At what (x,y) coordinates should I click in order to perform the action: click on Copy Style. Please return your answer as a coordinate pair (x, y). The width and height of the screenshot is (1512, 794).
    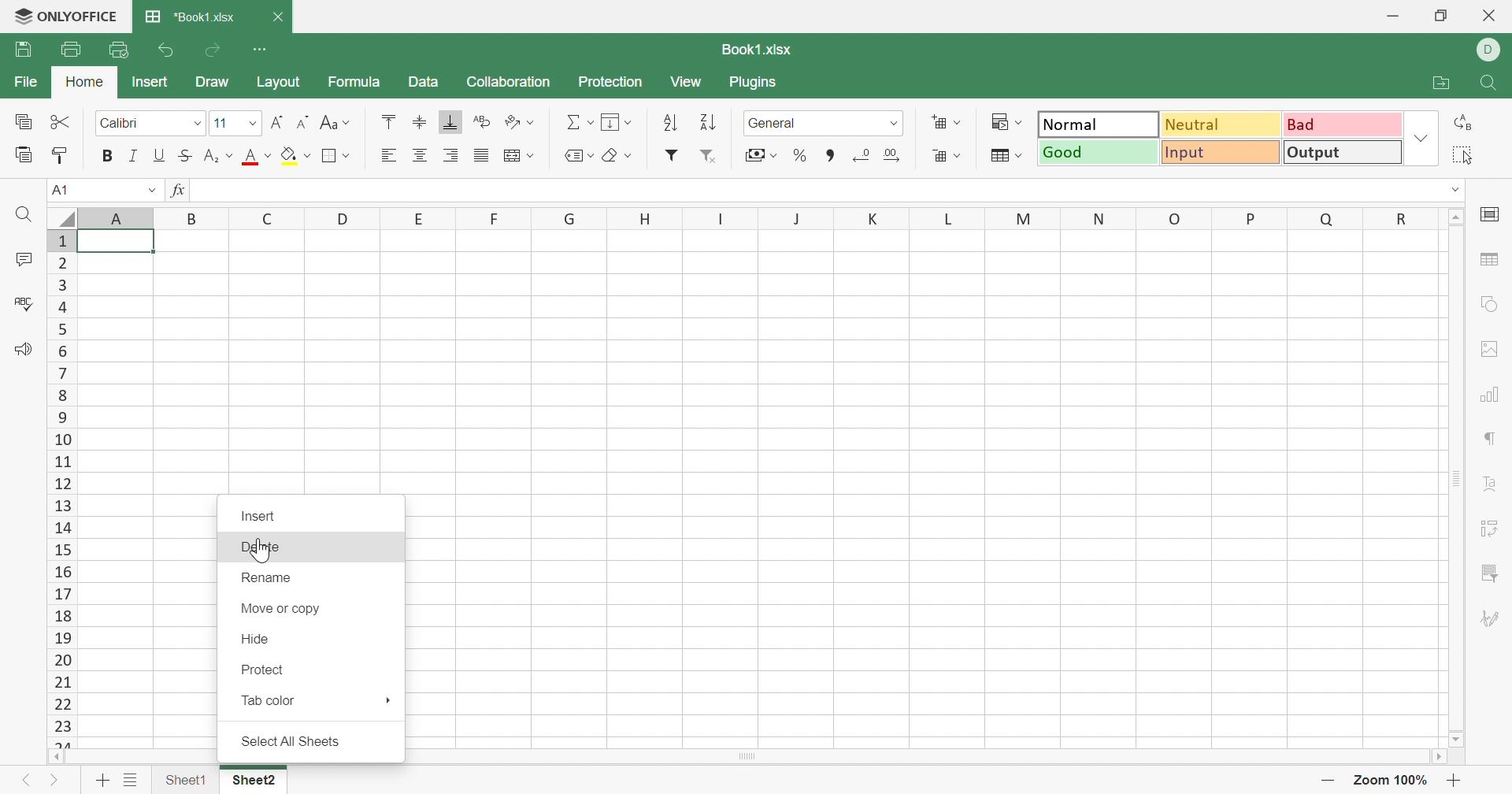
    Looking at the image, I should click on (61, 153).